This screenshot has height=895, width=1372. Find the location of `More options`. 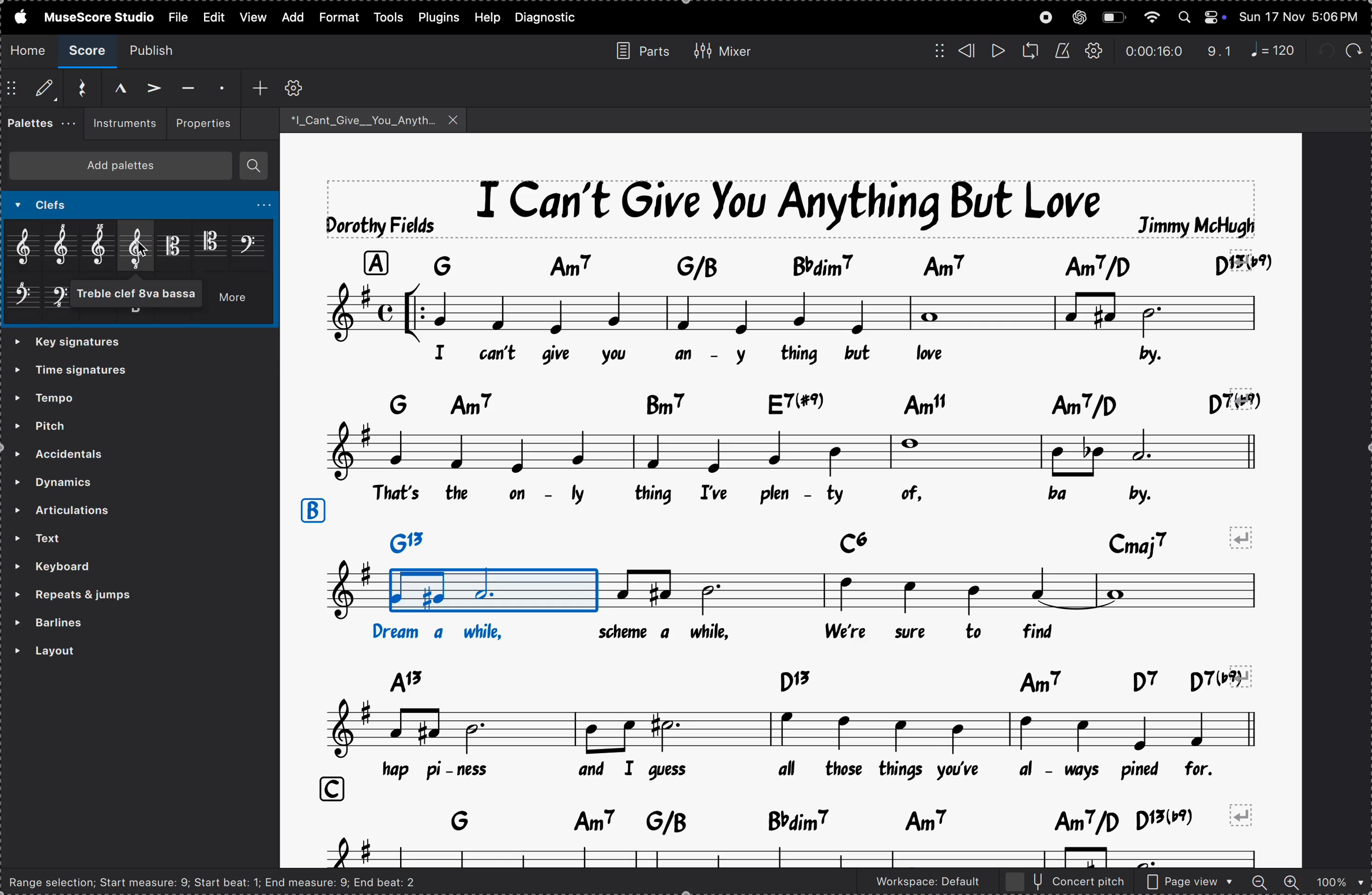

More options is located at coordinates (258, 206).